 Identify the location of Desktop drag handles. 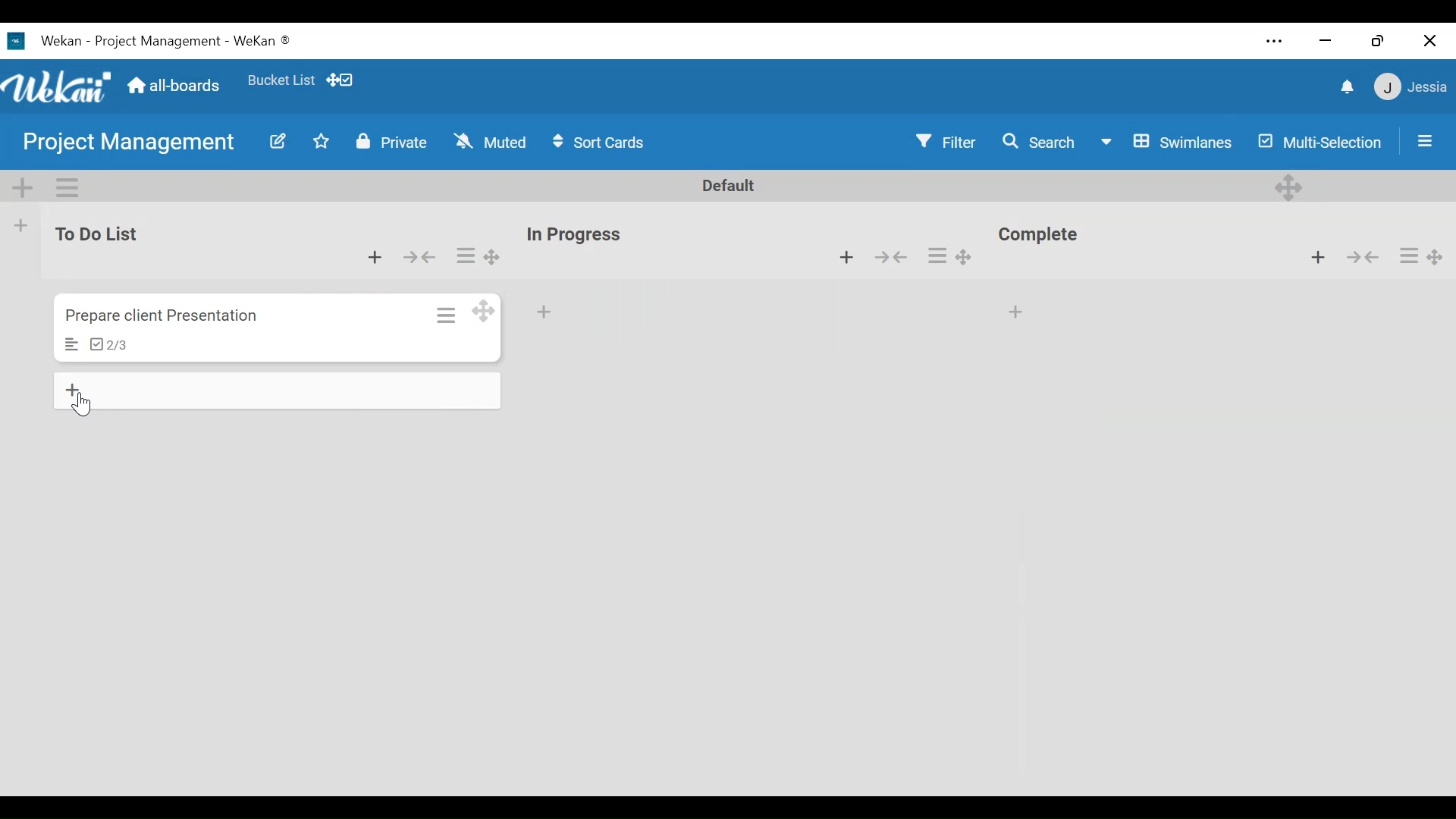
(490, 257).